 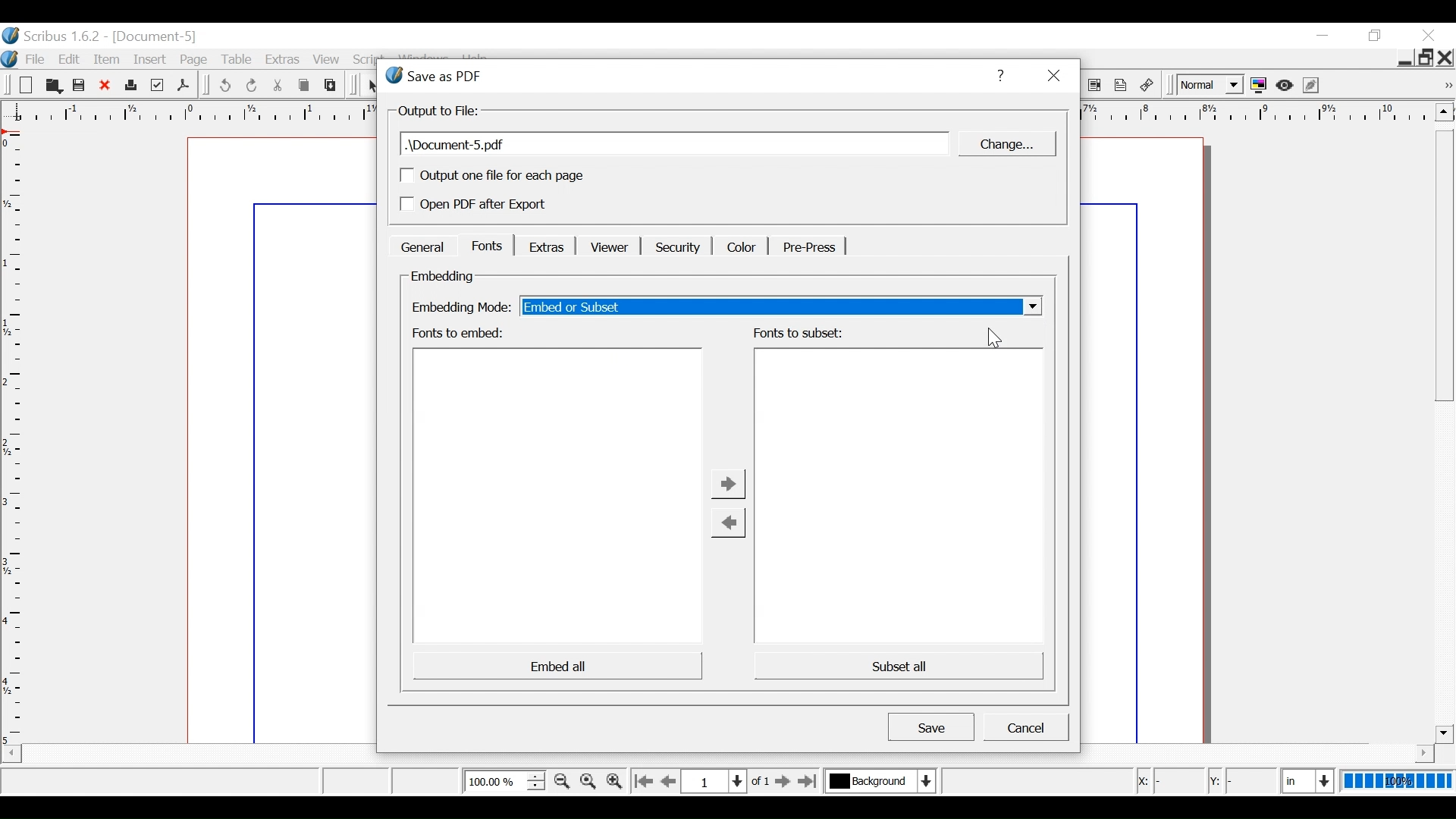 What do you see at coordinates (1095, 86) in the screenshot?
I see `PDF List Box ` at bounding box center [1095, 86].